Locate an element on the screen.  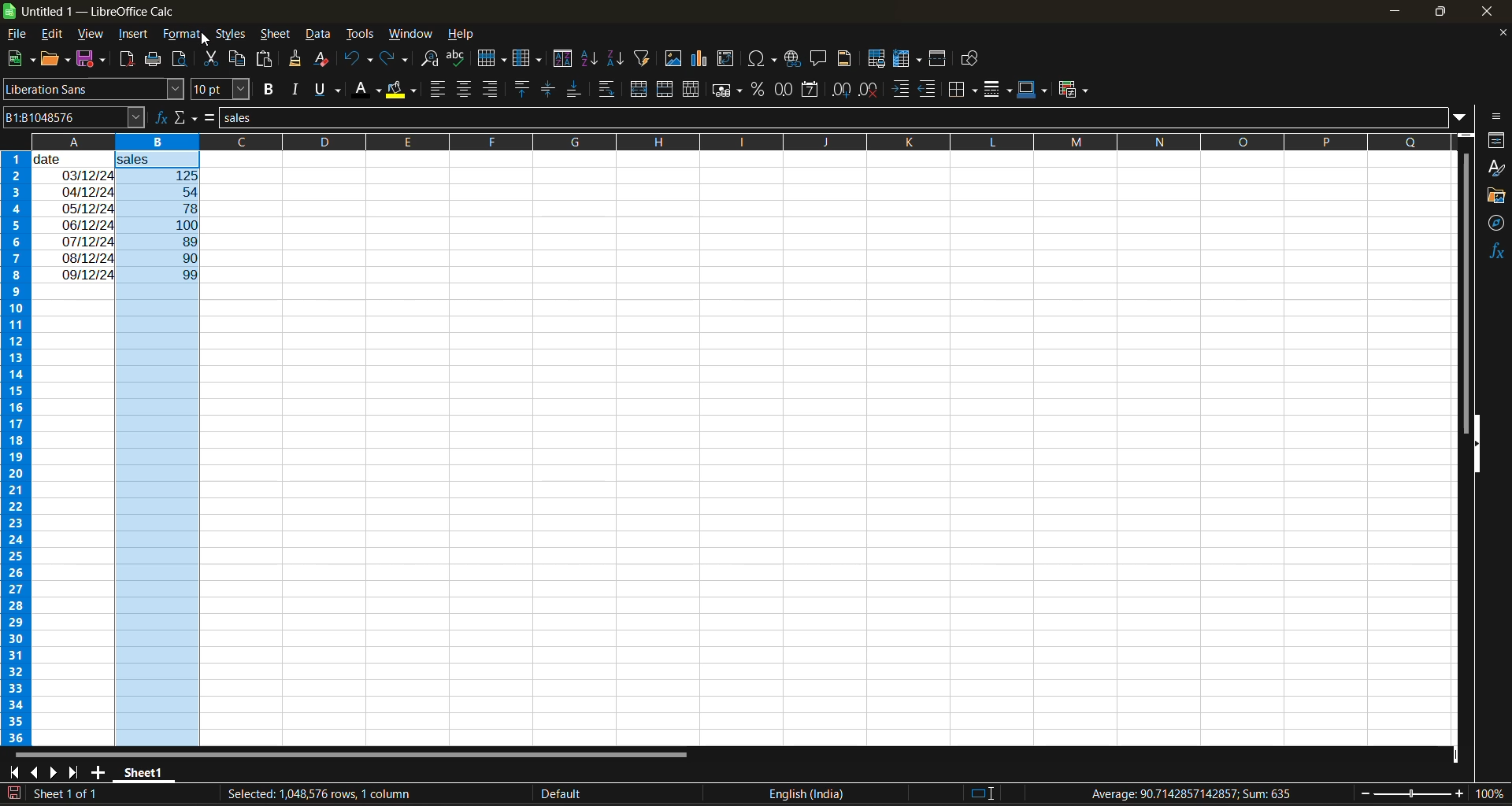
row is located at coordinates (492, 57).